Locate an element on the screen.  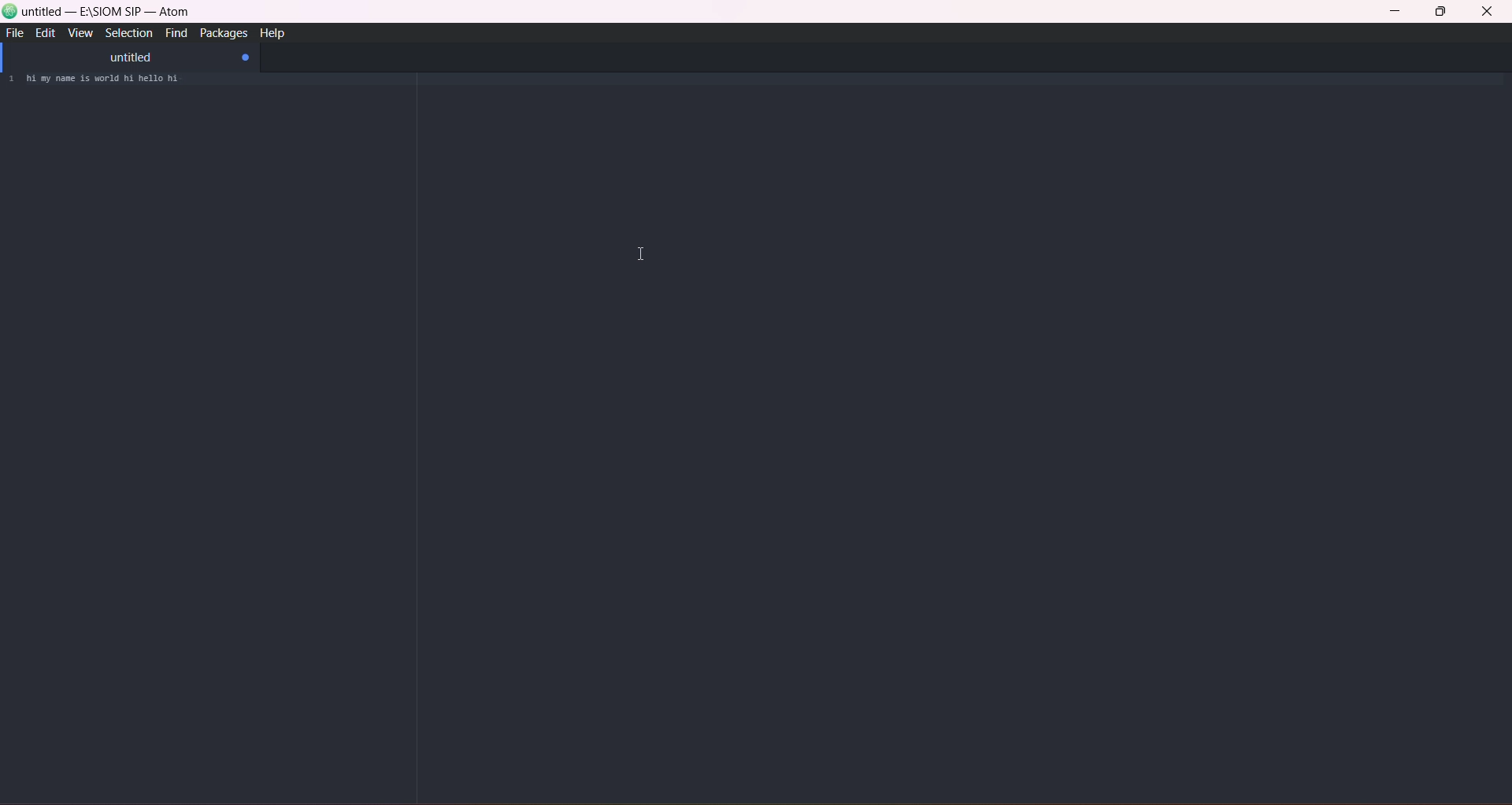
1 is located at coordinates (10, 80).